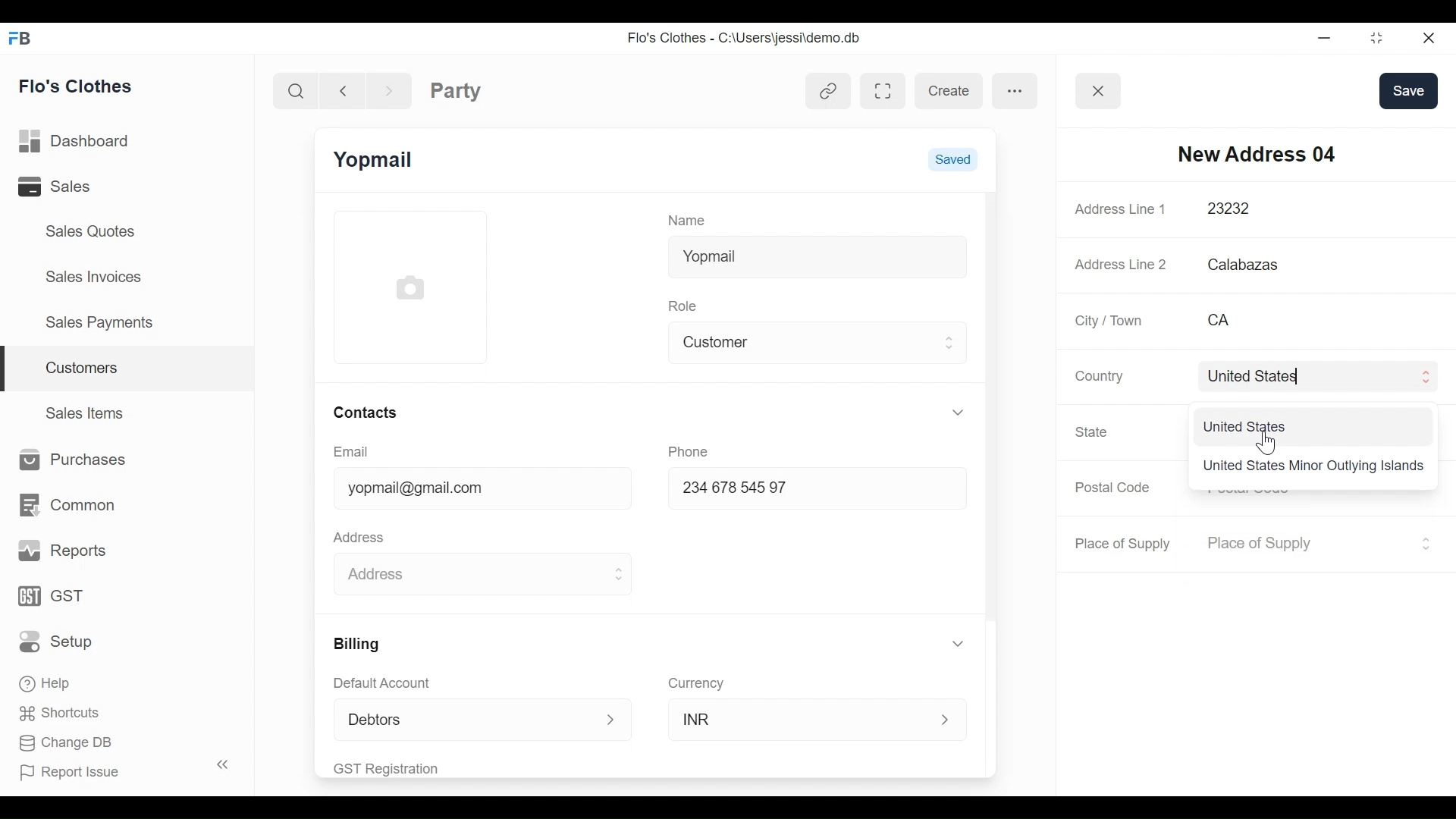 The image size is (1456, 819). Describe the element at coordinates (413, 286) in the screenshot. I see `Profile Picture` at that location.